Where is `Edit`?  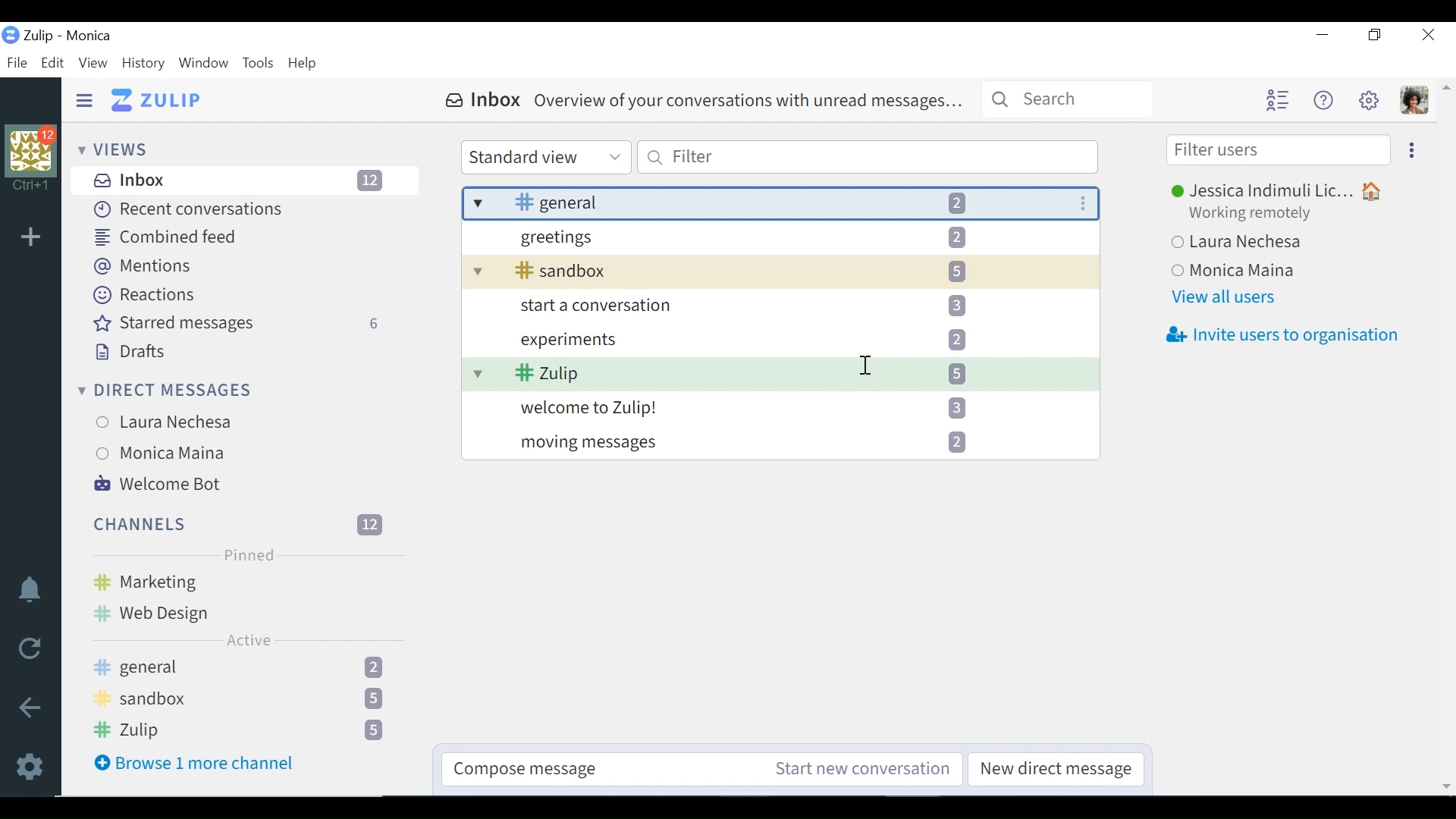 Edit is located at coordinates (54, 63).